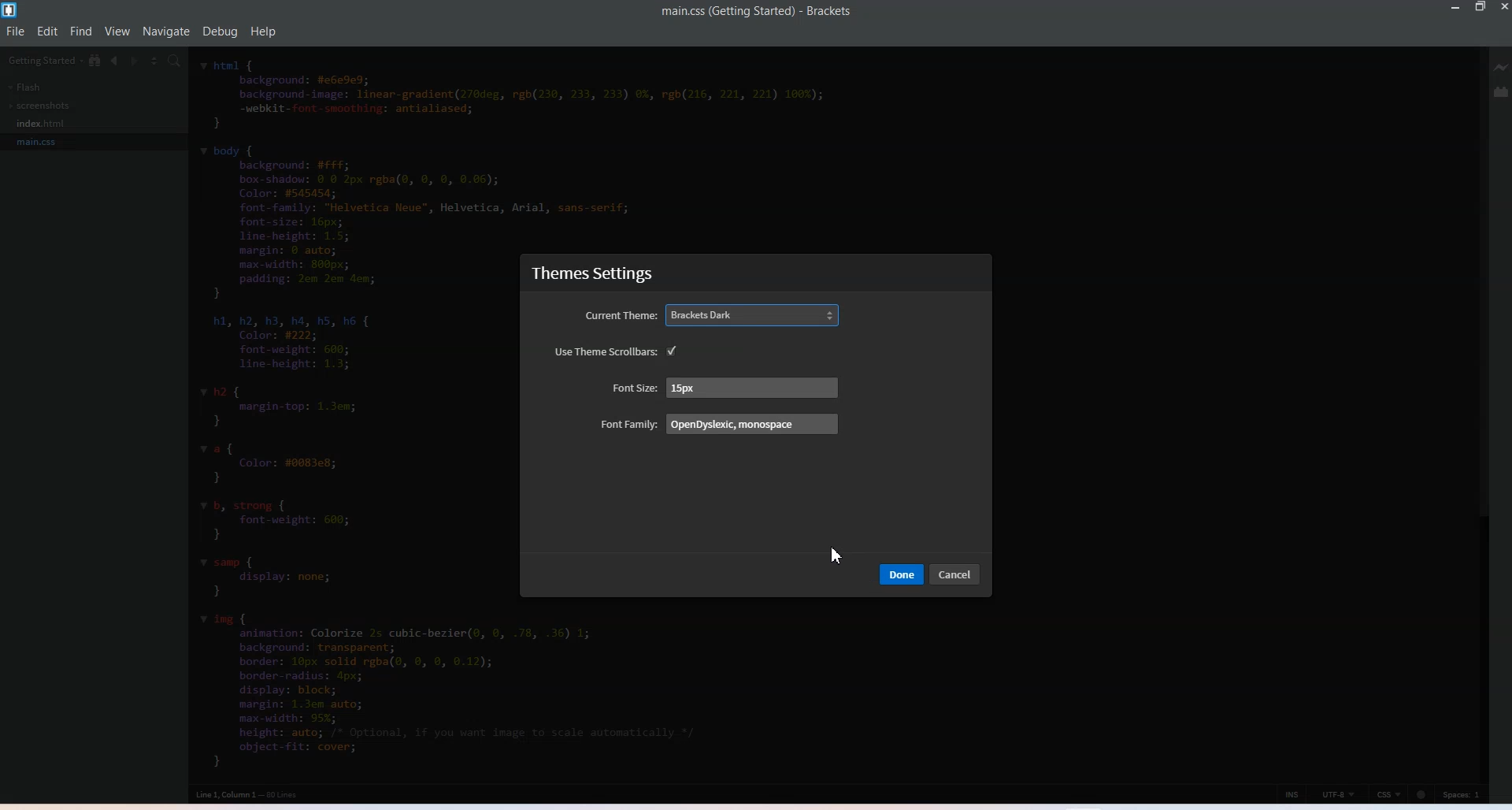  Describe the element at coordinates (96, 60) in the screenshot. I see `Show in file tree` at that location.